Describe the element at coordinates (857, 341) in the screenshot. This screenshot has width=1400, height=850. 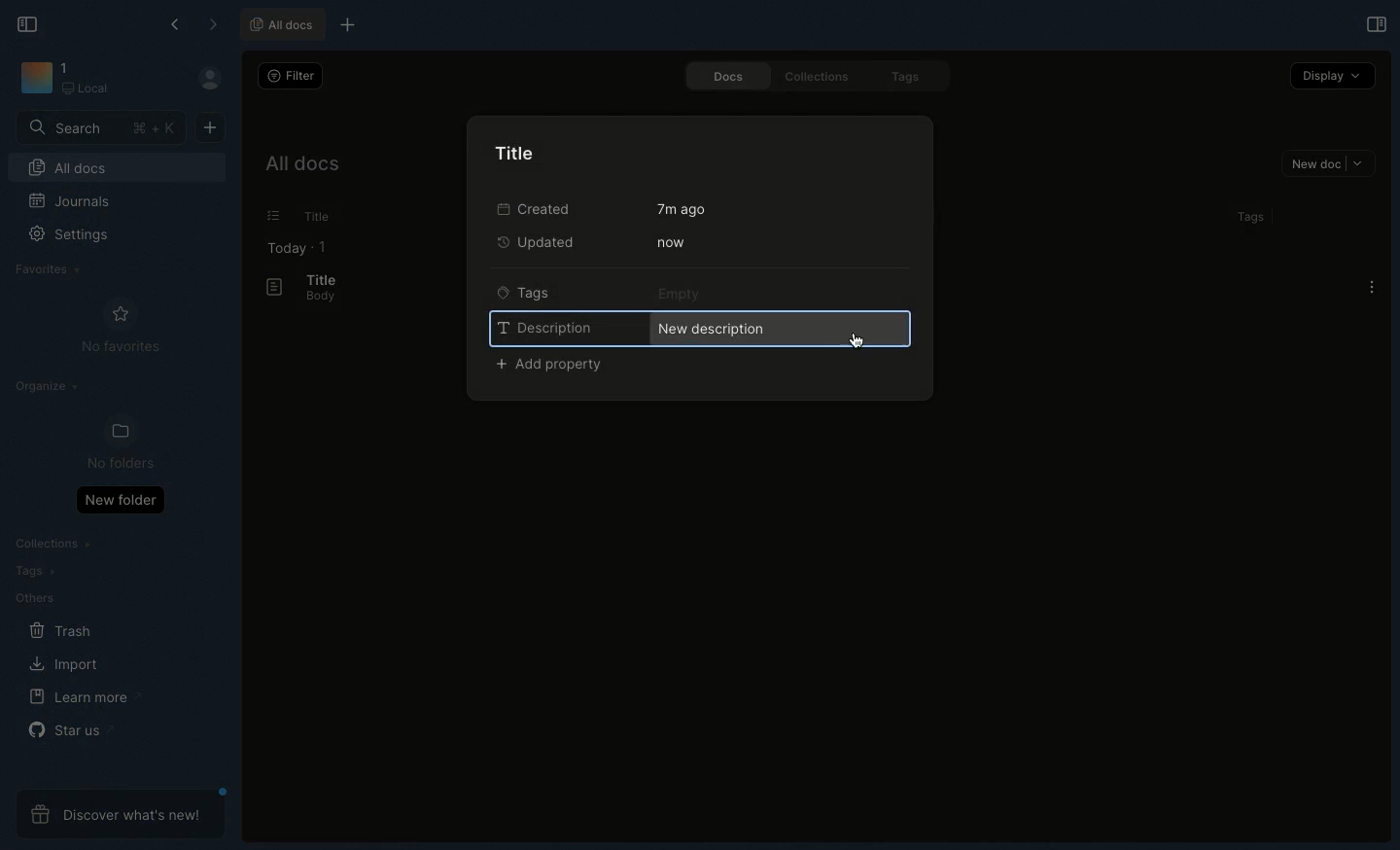
I see `cursor` at that location.